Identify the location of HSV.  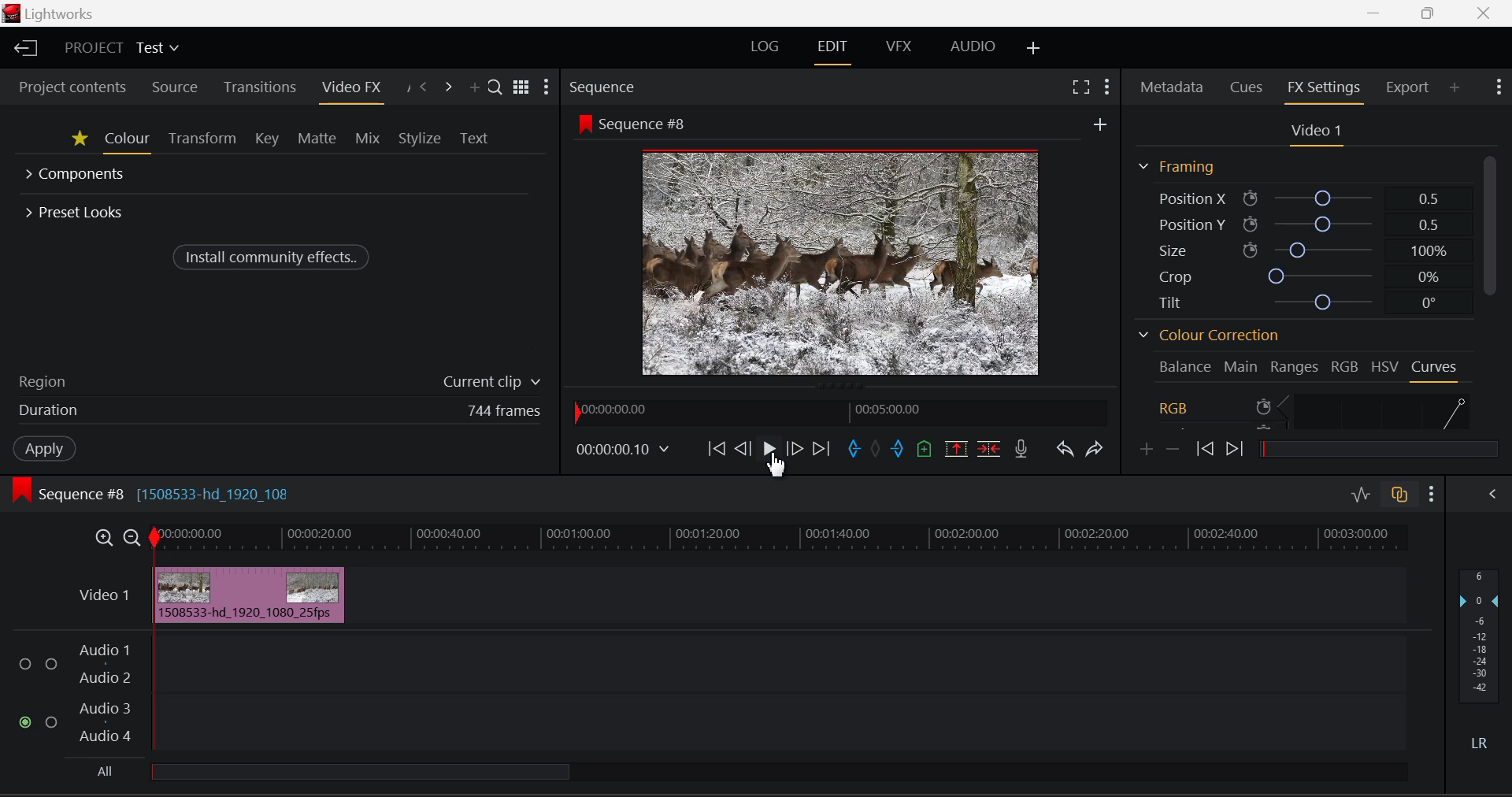
(1387, 365).